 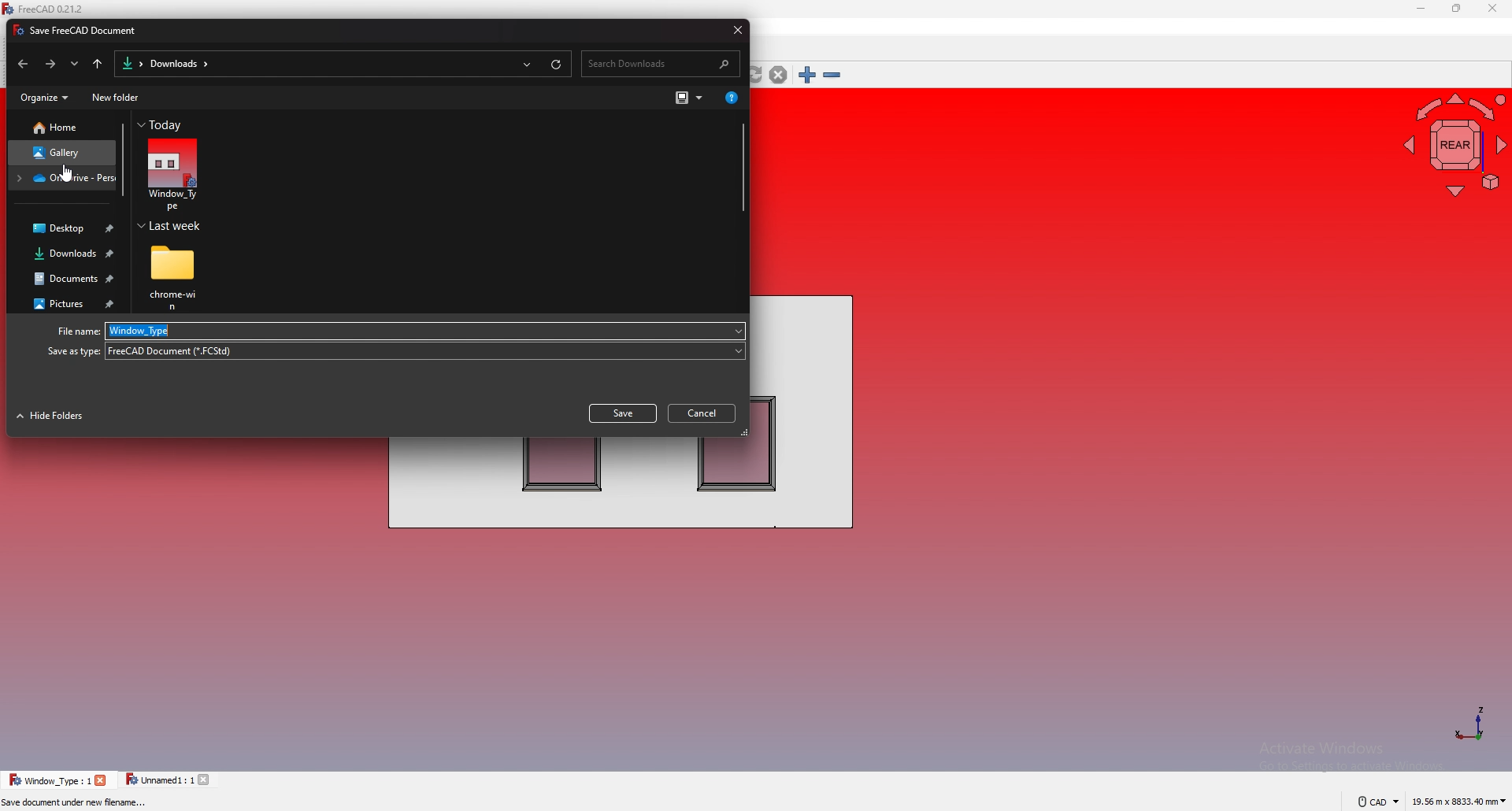 I want to click on FreeCAD 0.21.2, so click(x=46, y=9).